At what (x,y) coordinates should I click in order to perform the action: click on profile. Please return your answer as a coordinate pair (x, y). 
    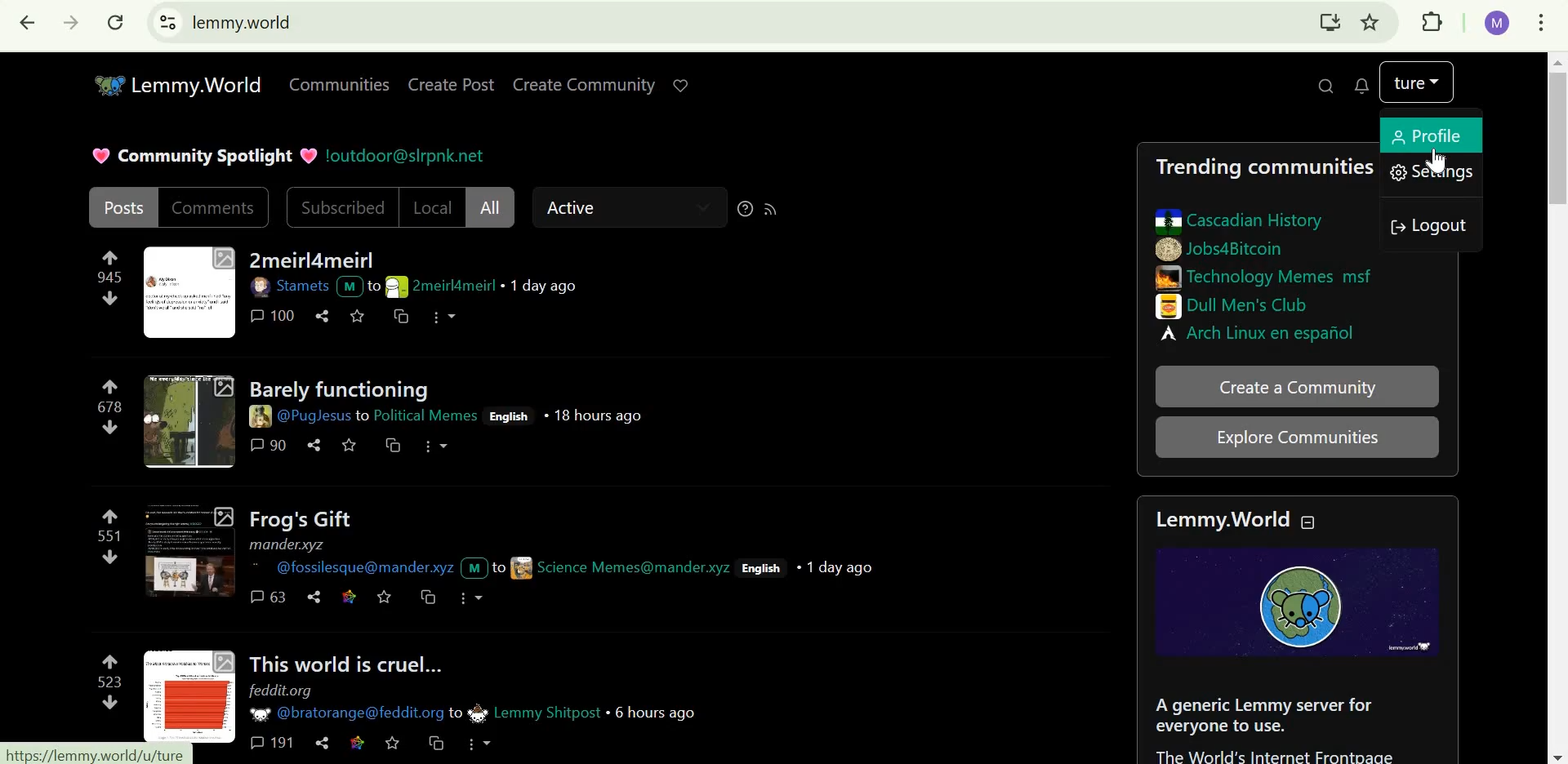
    Looking at the image, I should click on (1432, 135).